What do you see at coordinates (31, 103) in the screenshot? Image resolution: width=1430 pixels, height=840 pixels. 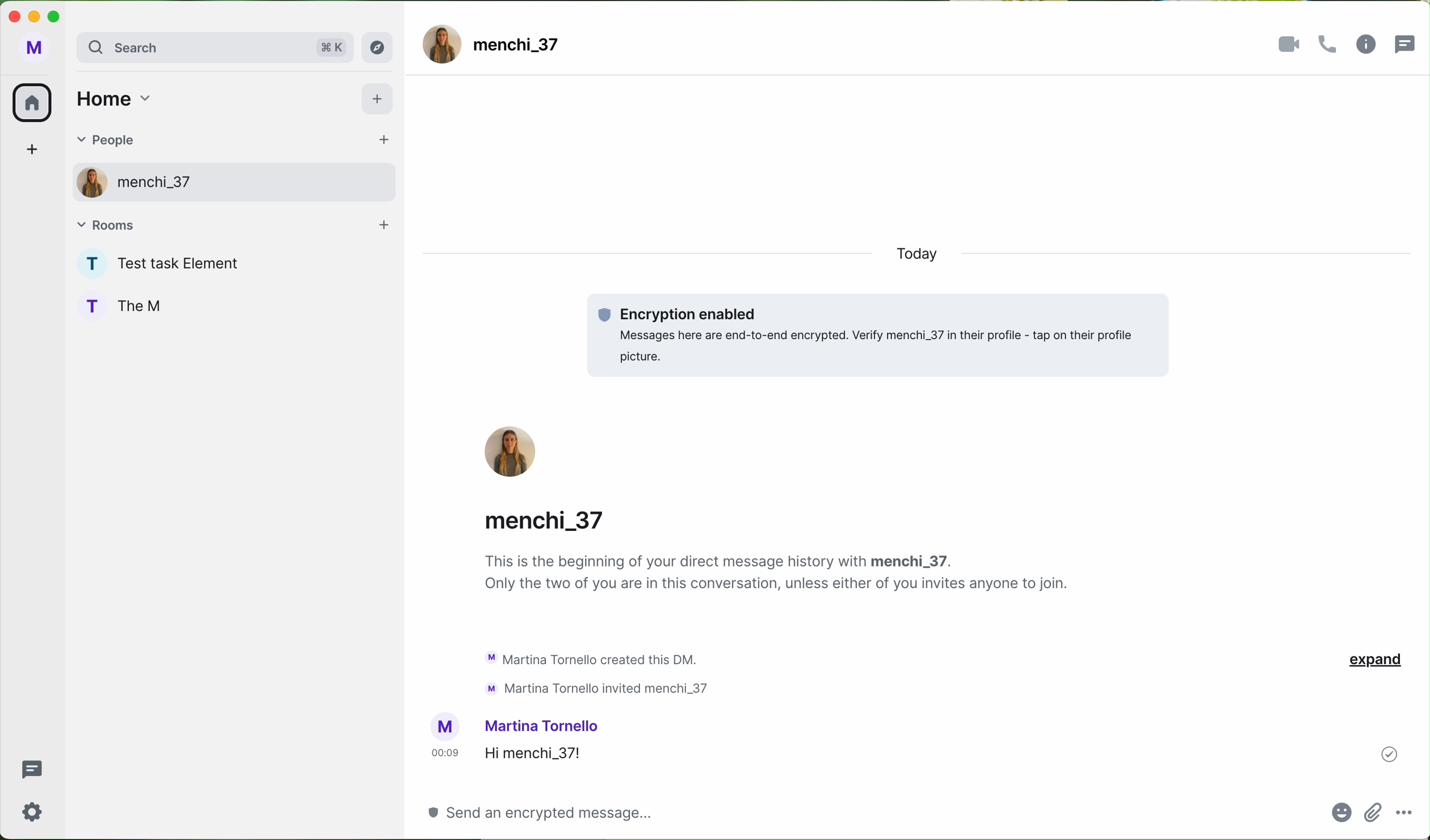 I see `home icon` at bounding box center [31, 103].